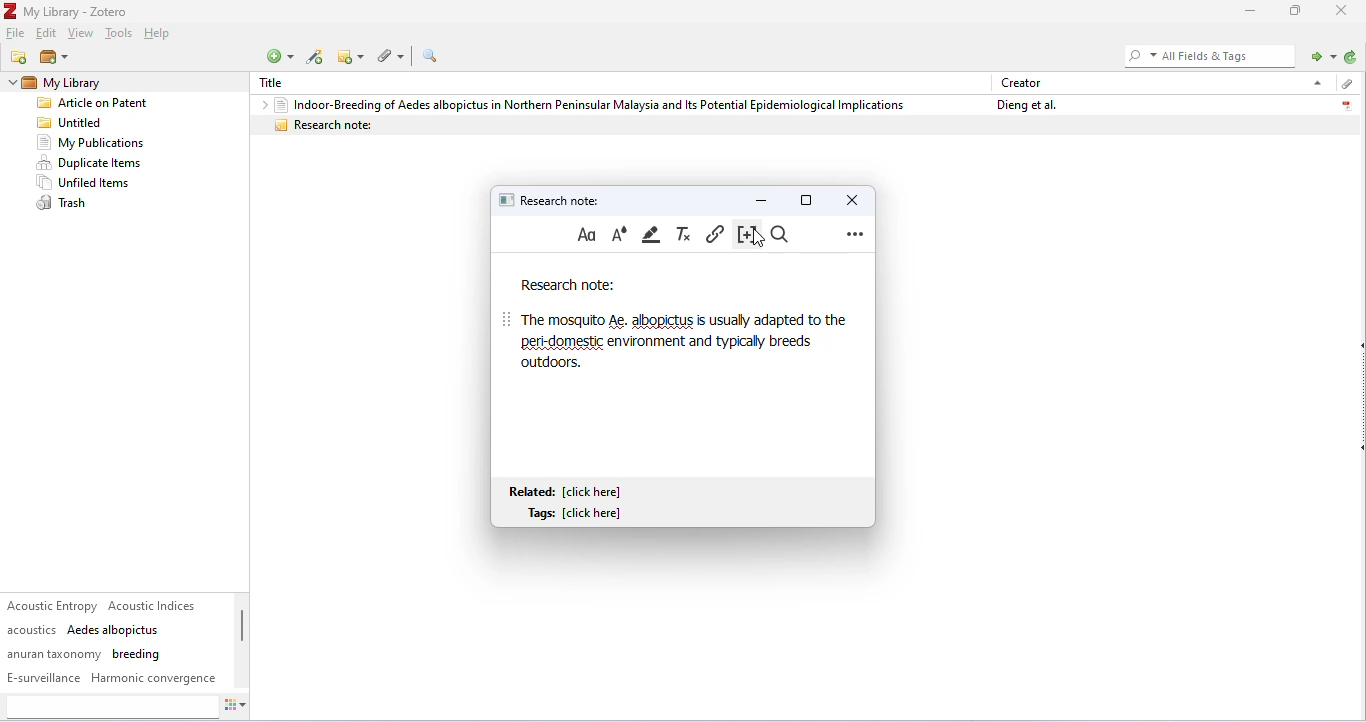 The width and height of the screenshot is (1366, 722). I want to click on view, so click(81, 34).